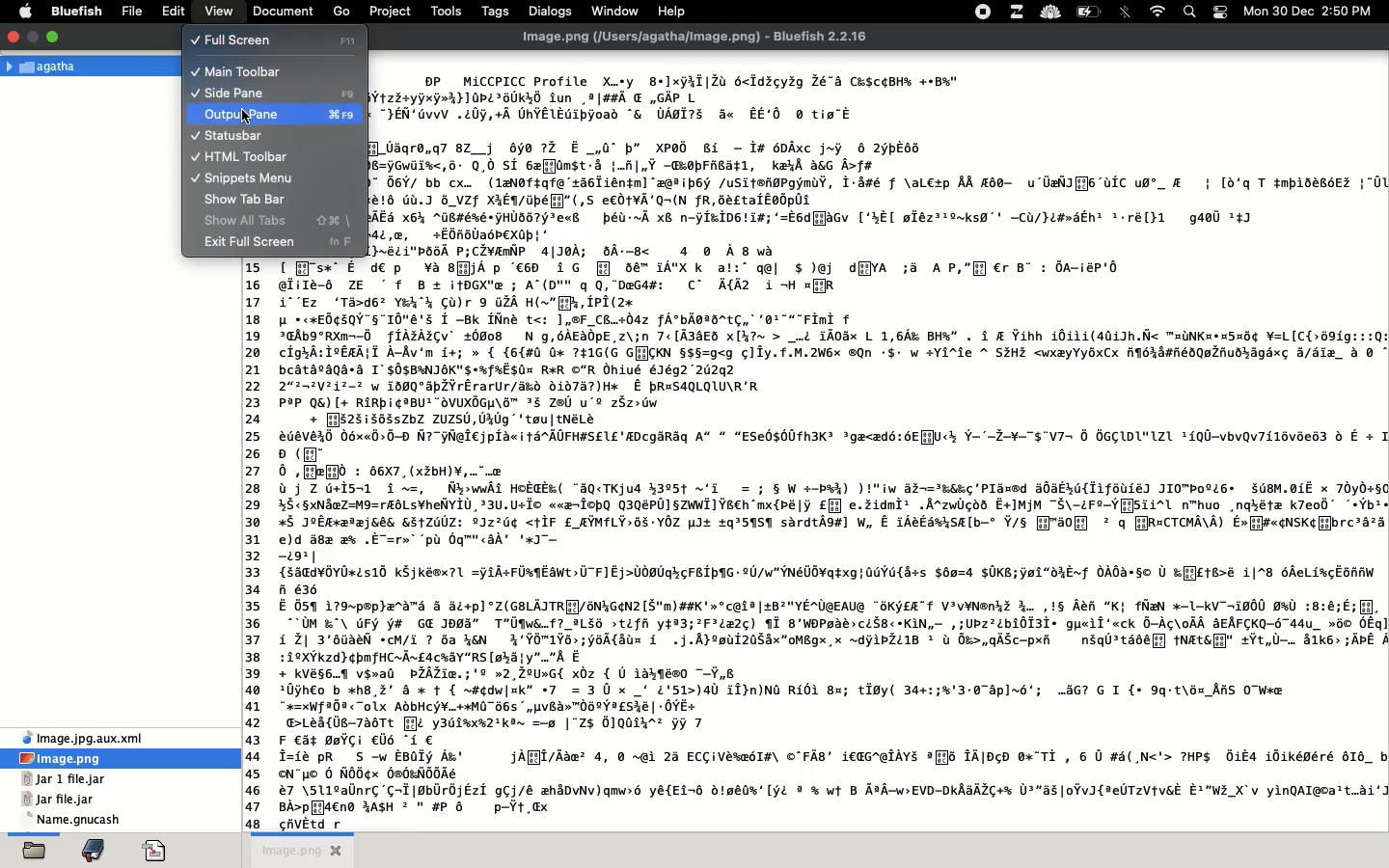  What do you see at coordinates (173, 10) in the screenshot?
I see `edit` at bounding box center [173, 10].